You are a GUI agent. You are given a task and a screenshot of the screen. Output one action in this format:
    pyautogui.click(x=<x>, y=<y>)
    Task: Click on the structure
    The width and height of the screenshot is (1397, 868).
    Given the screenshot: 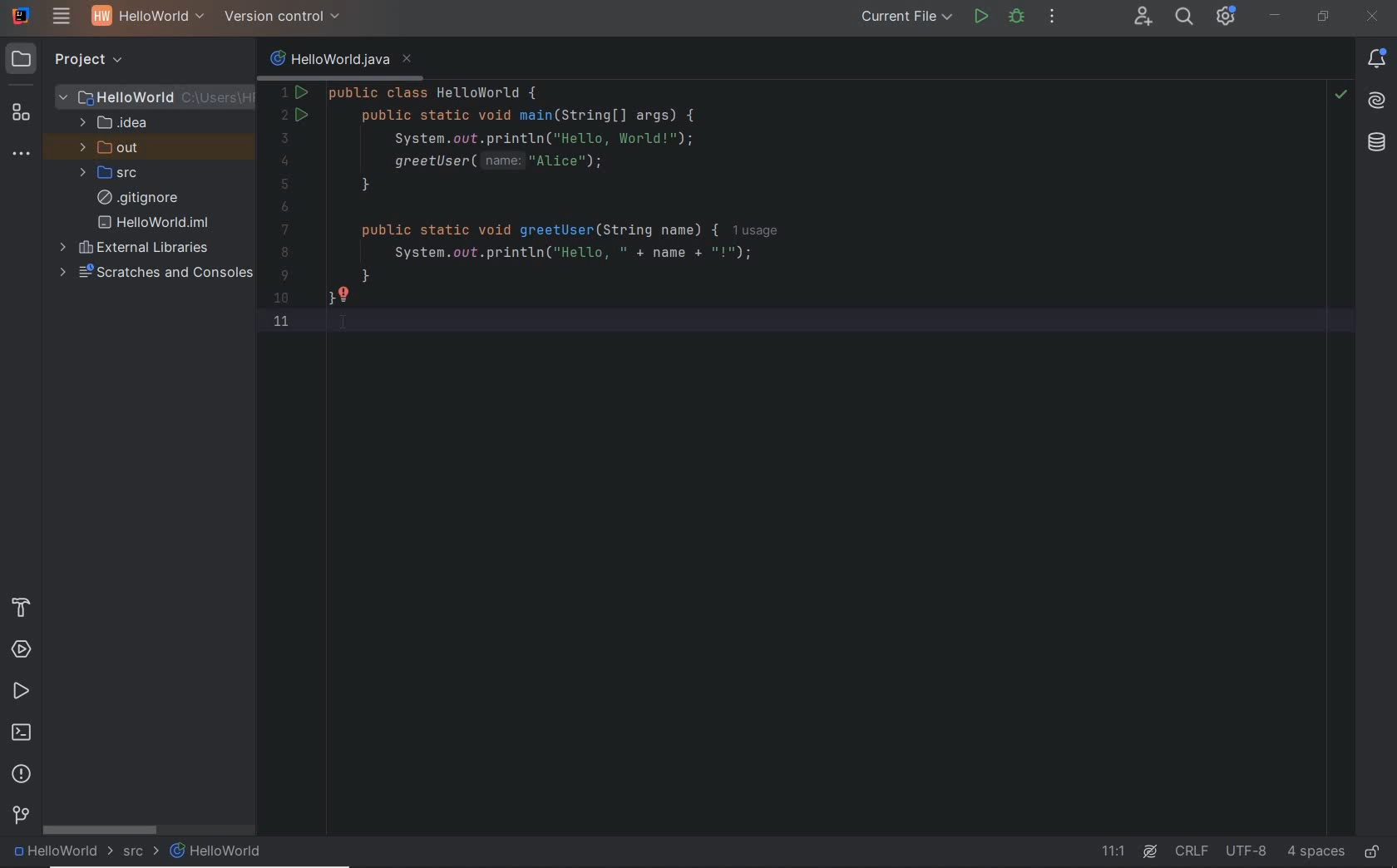 What is the action you would take?
    pyautogui.click(x=20, y=116)
    